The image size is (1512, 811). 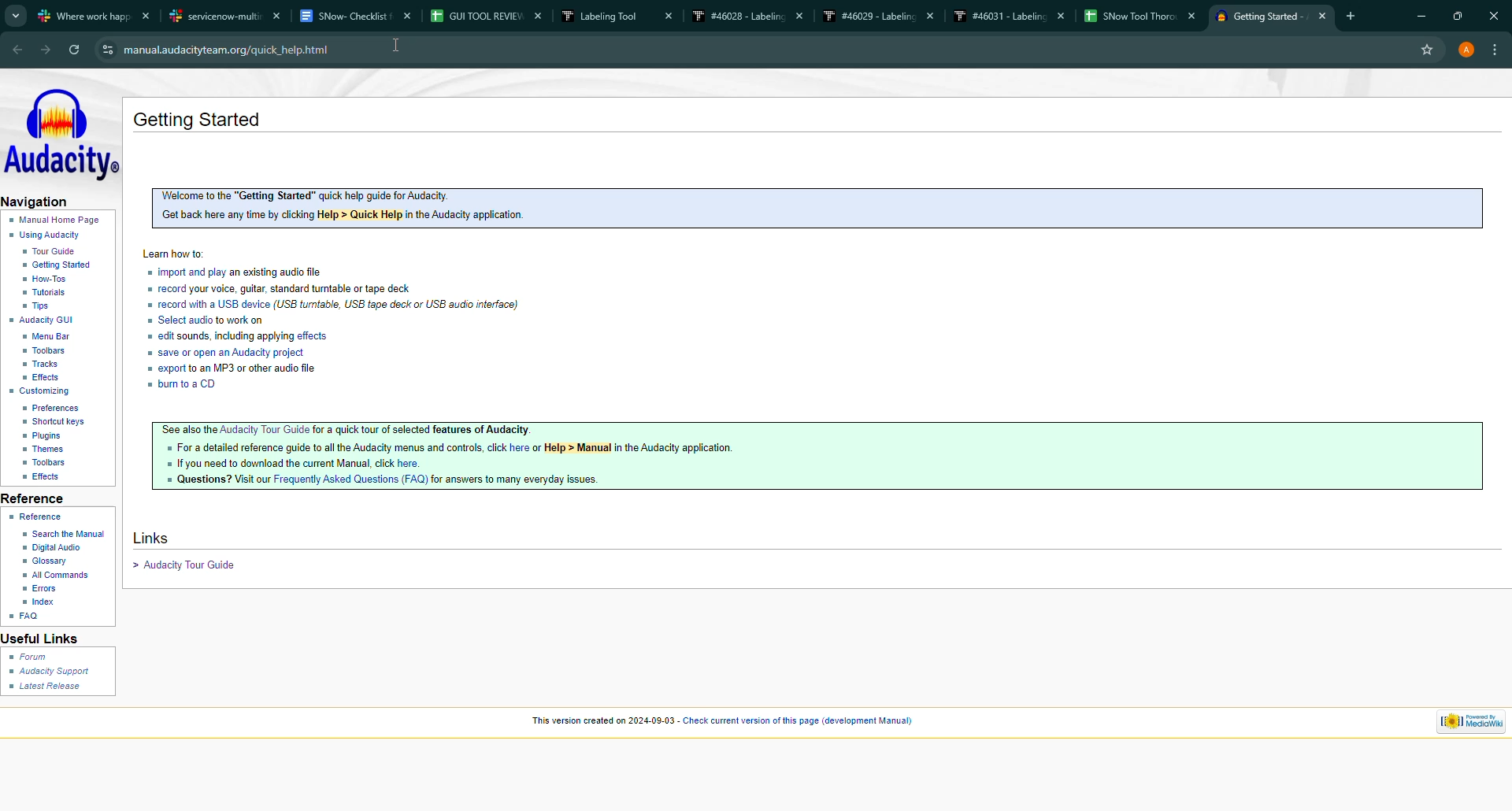 What do you see at coordinates (43, 367) in the screenshot?
I see `track` at bounding box center [43, 367].